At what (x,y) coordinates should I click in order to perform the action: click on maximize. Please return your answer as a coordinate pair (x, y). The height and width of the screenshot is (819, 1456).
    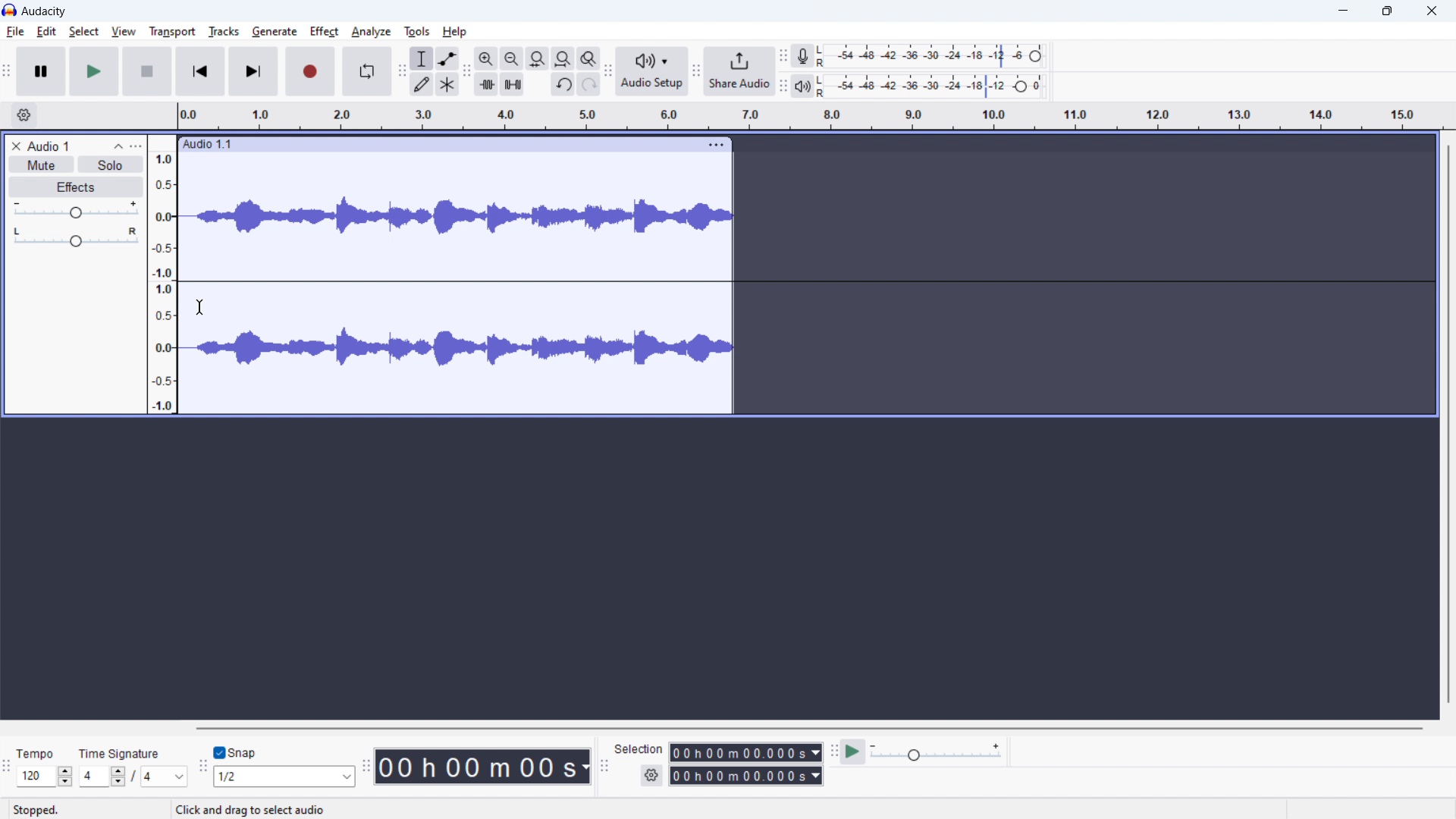
    Looking at the image, I should click on (1387, 11).